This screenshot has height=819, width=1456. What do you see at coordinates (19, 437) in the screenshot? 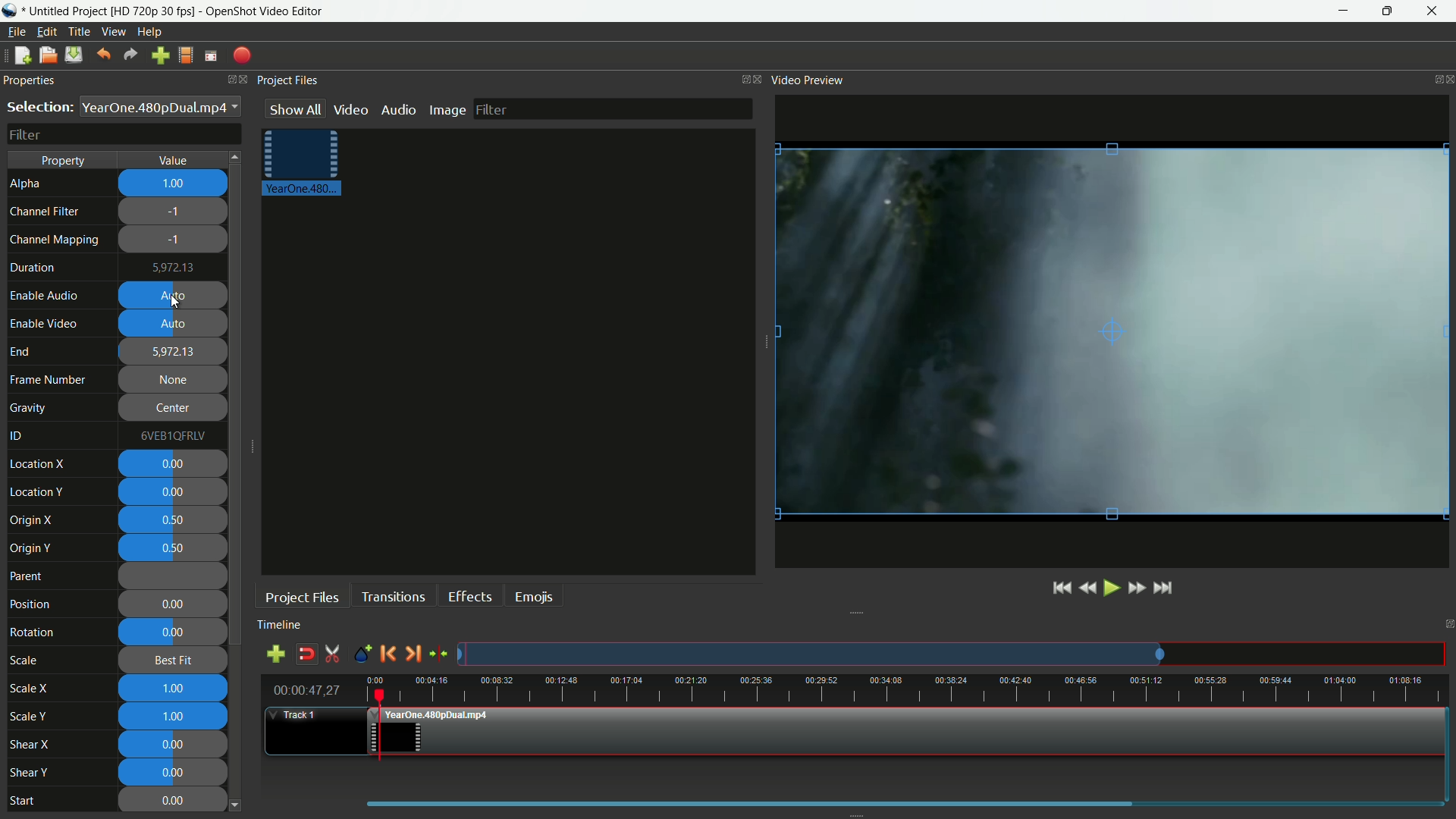
I see `id` at bounding box center [19, 437].